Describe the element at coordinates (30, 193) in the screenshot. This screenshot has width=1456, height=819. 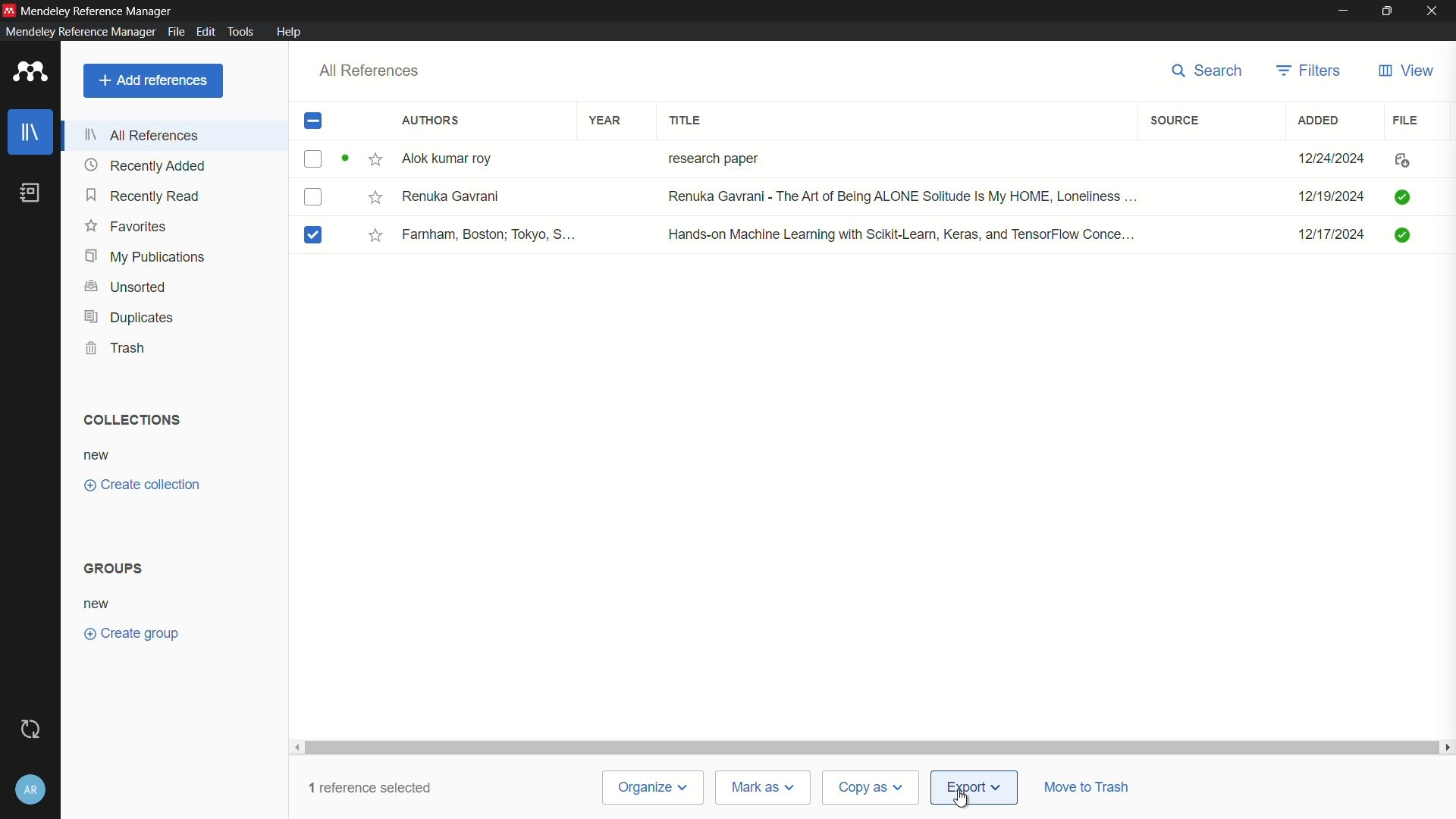
I see `book` at that location.